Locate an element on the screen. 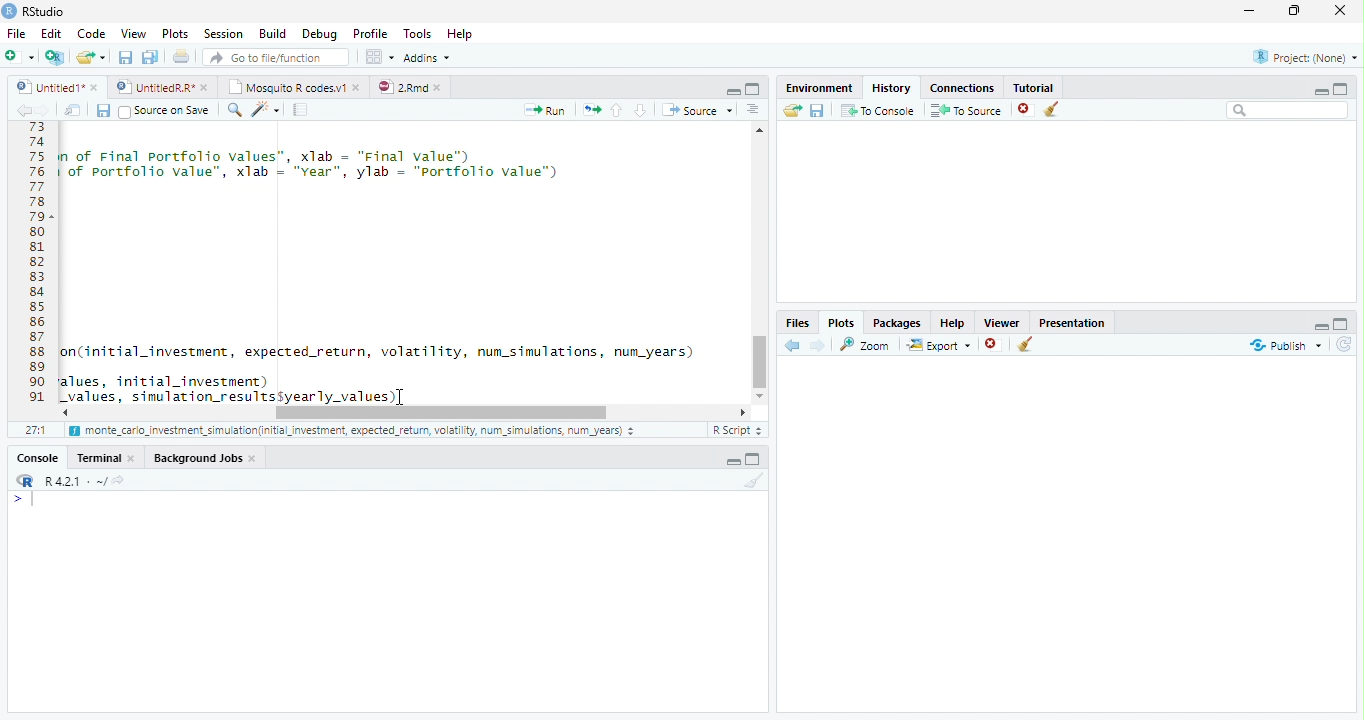 The width and height of the screenshot is (1364, 720). Files is located at coordinates (798, 322).